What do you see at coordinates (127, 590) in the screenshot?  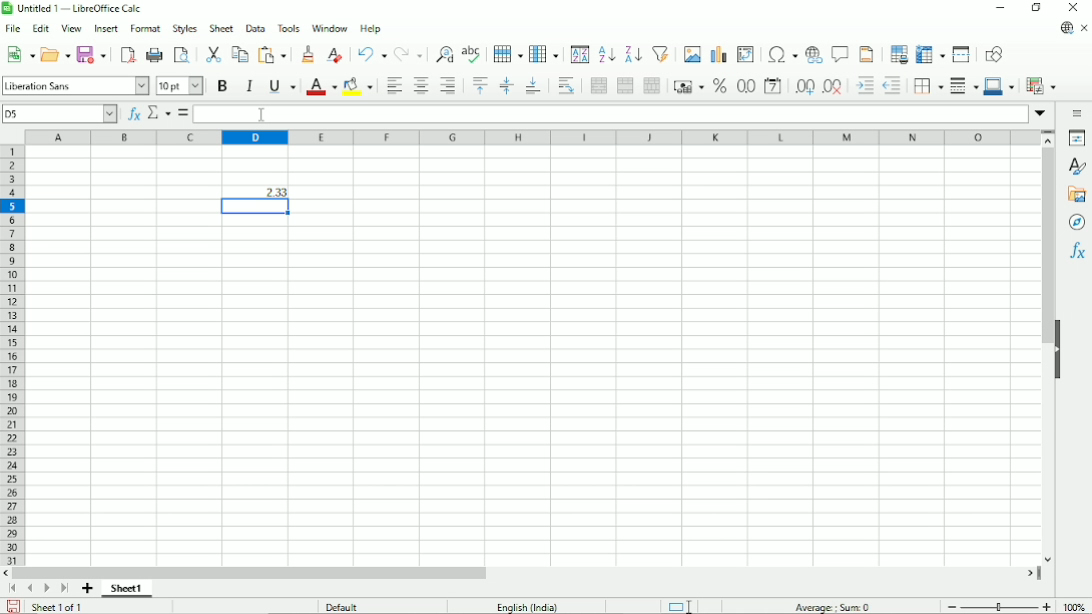 I see `Sheet 1` at bounding box center [127, 590].